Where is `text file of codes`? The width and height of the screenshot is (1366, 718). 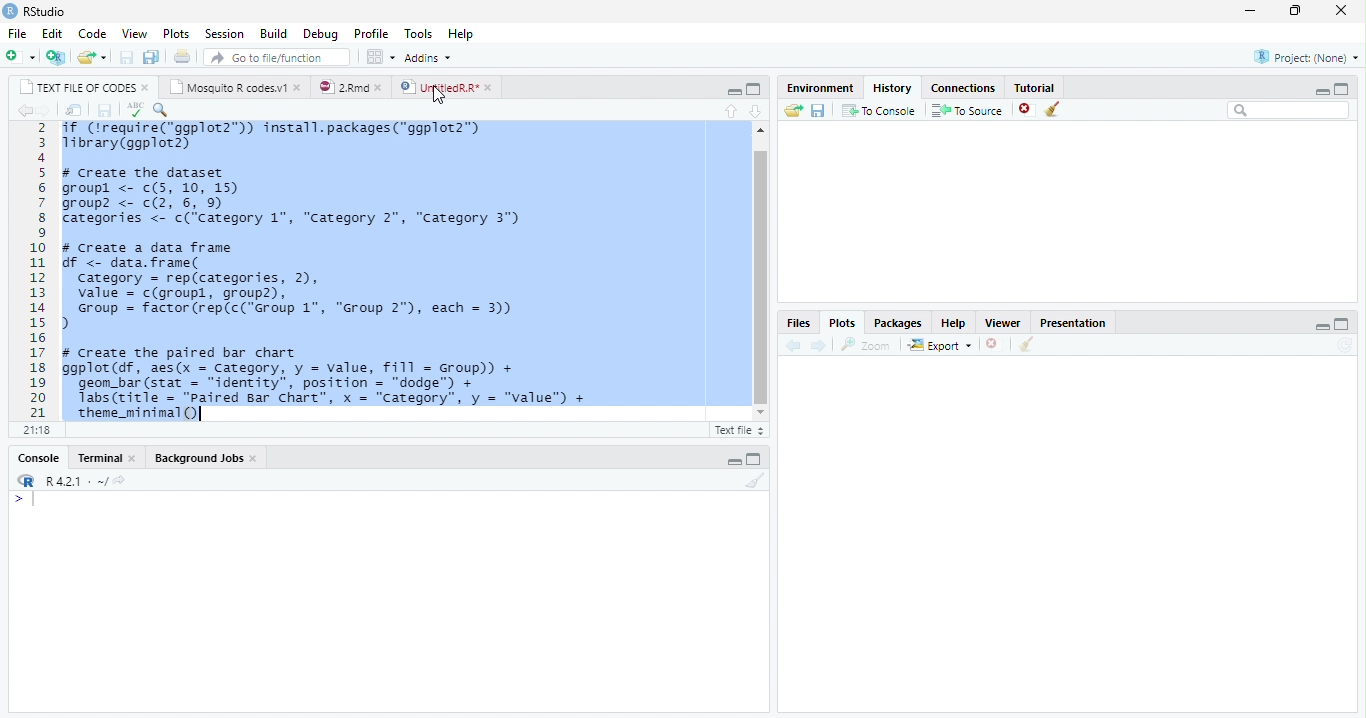 text file of codes is located at coordinates (78, 88).